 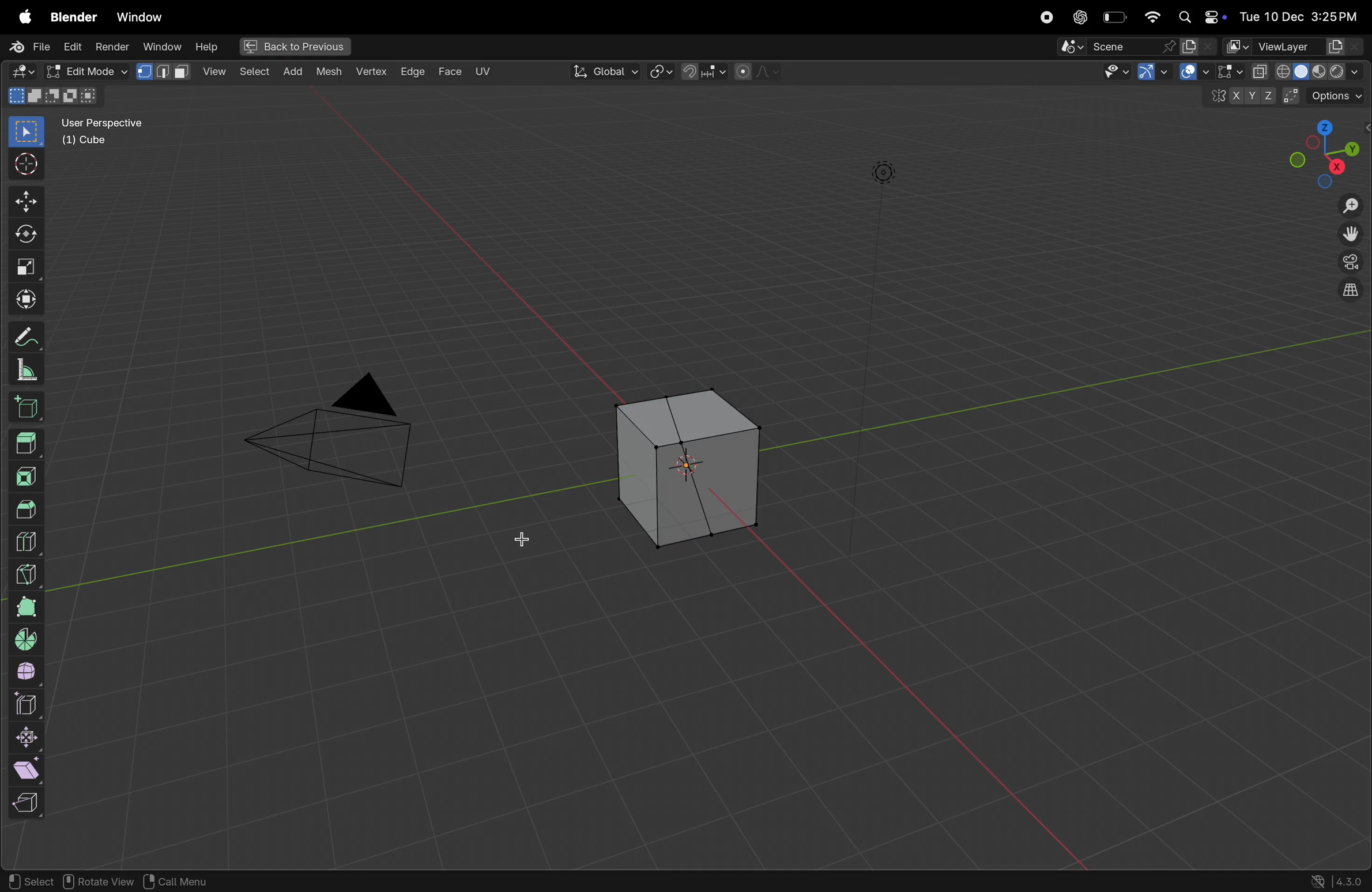 What do you see at coordinates (26, 607) in the screenshot?
I see `poly bulid spin` at bounding box center [26, 607].